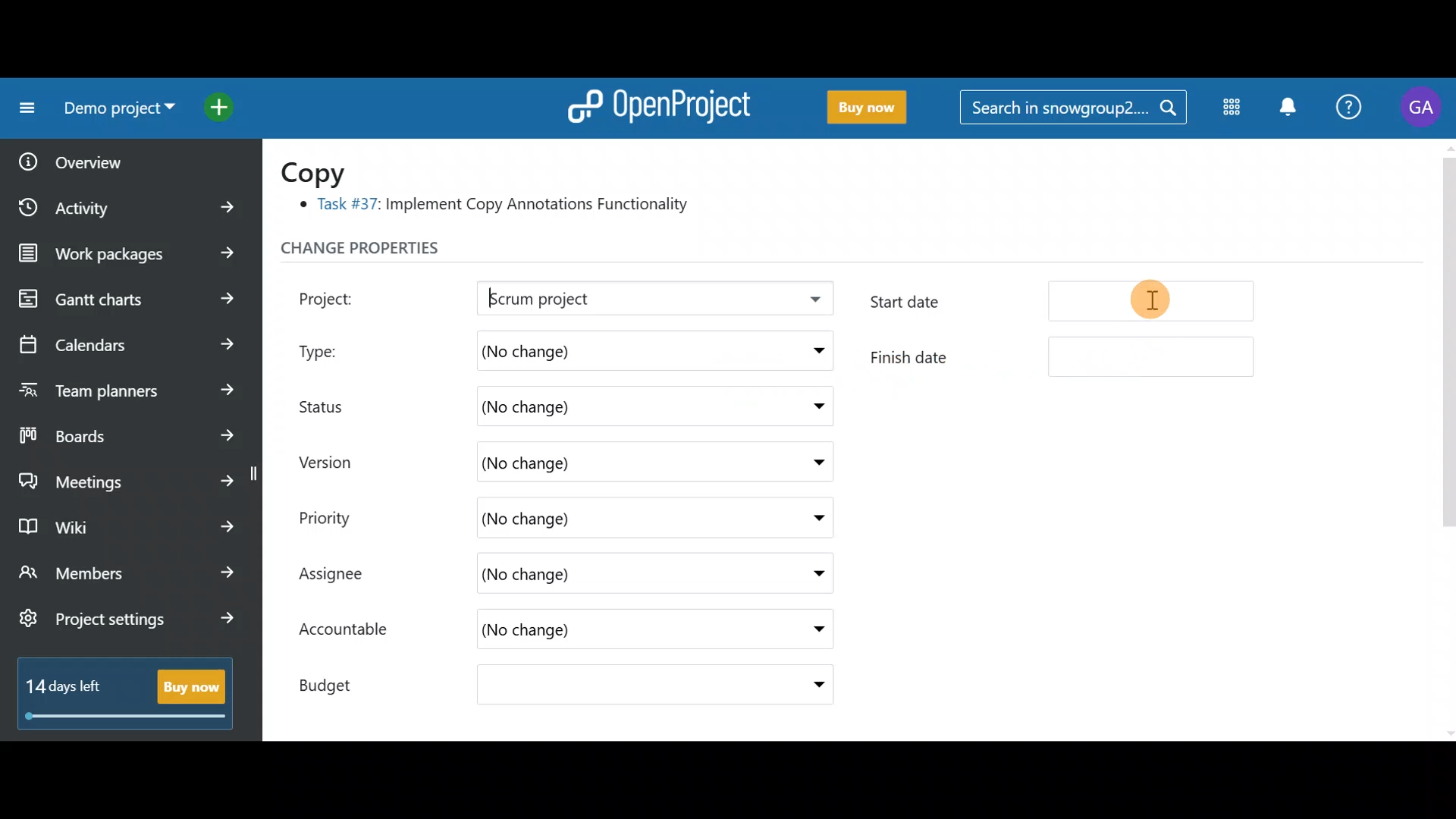 Image resolution: width=1456 pixels, height=819 pixels. What do you see at coordinates (584, 407) in the screenshot?
I see `(No change)` at bounding box center [584, 407].